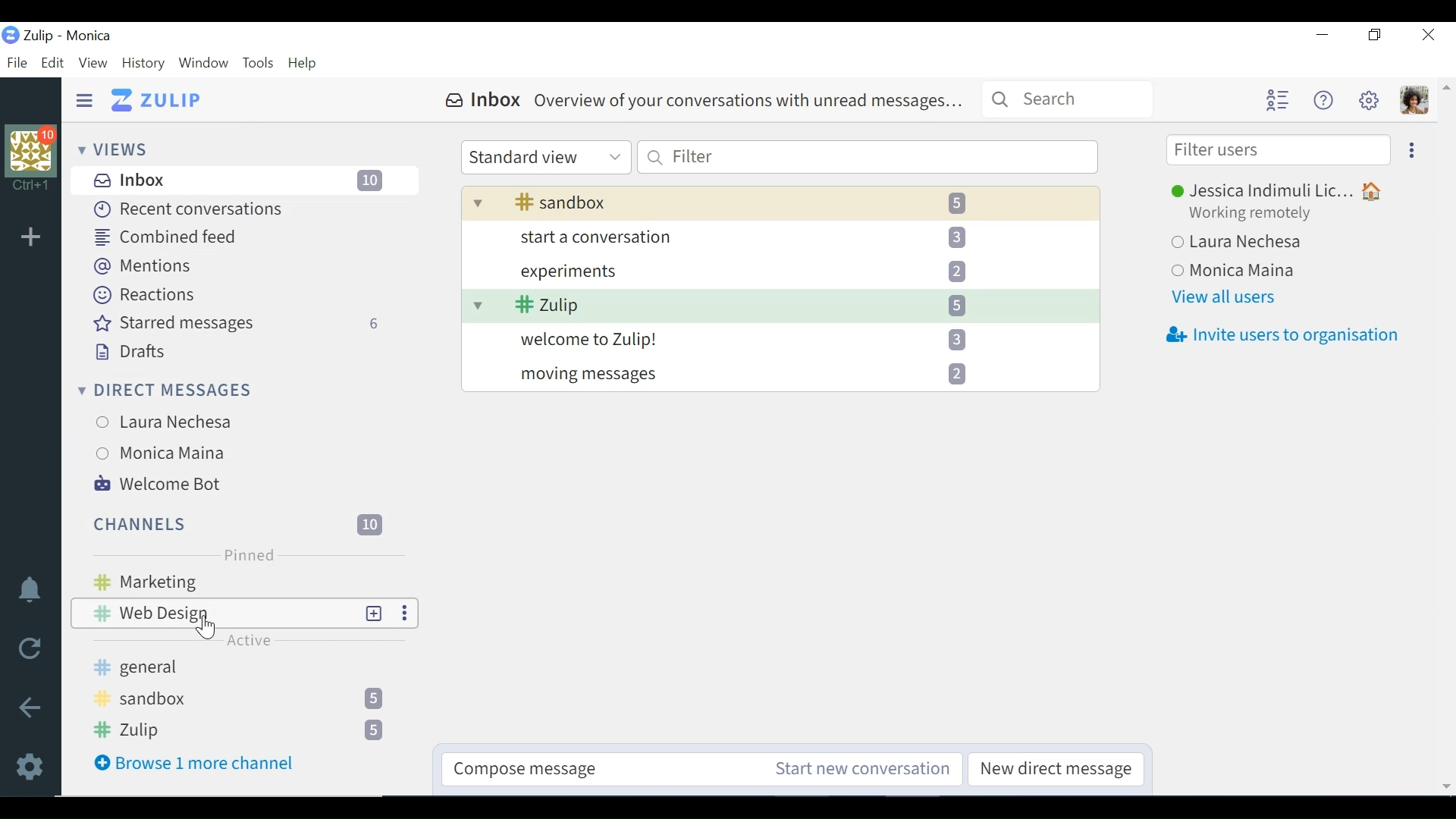  I want to click on Tools, so click(257, 63).